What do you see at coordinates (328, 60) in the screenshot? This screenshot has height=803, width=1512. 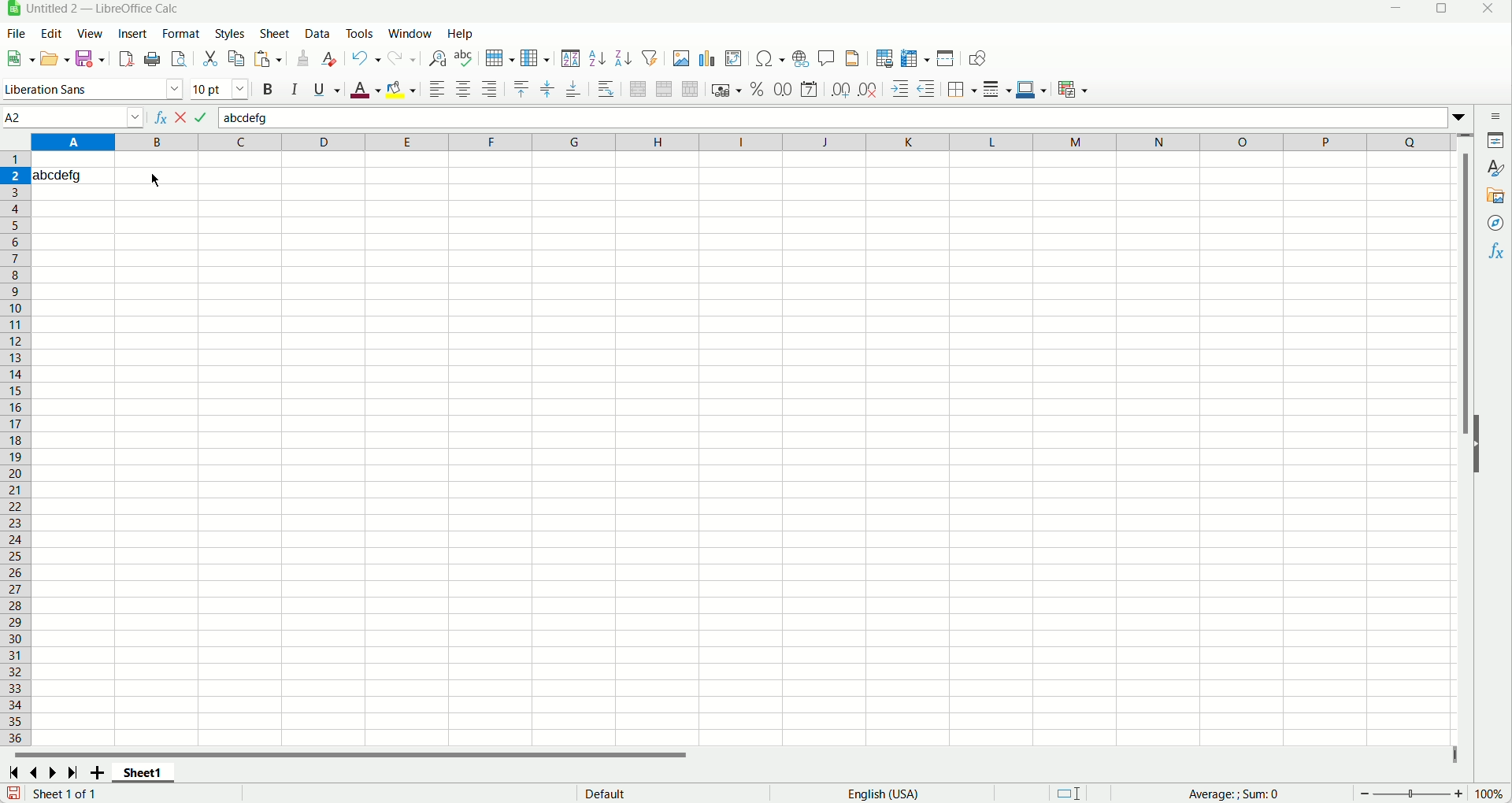 I see `clear direct formatting` at bounding box center [328, 60].